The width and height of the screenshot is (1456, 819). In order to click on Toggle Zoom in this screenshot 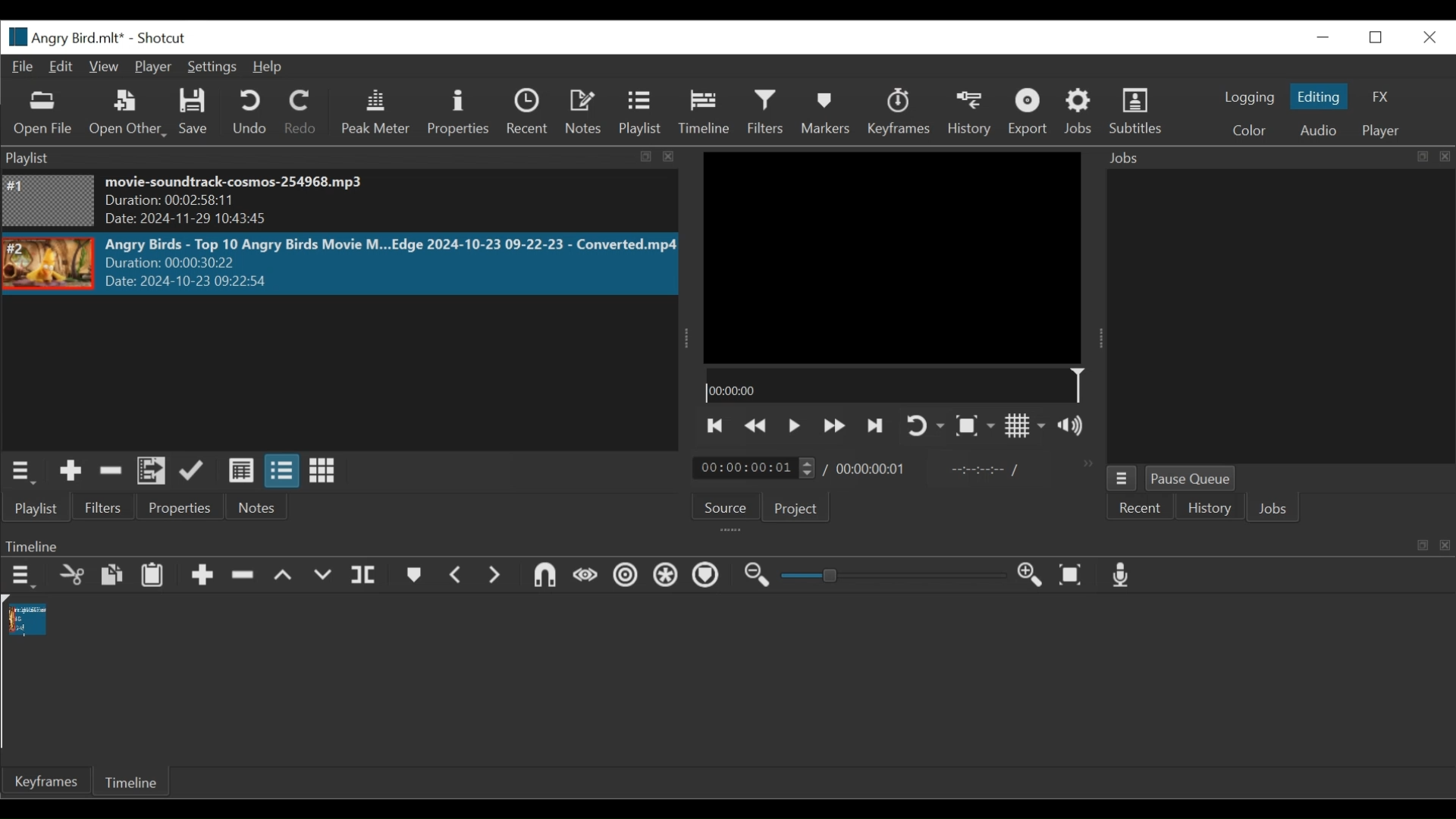, I will do `click(977, 427)`.